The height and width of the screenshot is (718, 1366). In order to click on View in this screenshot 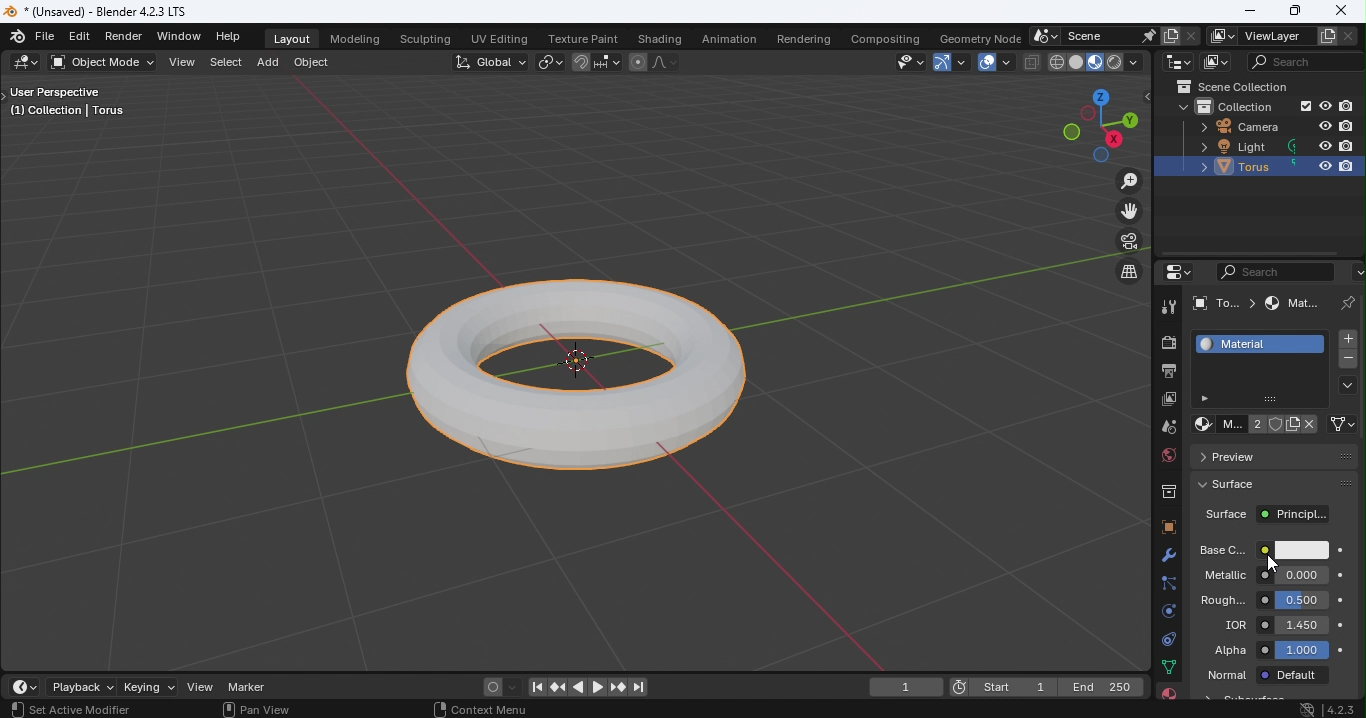, I will do `click(200, 688)`.